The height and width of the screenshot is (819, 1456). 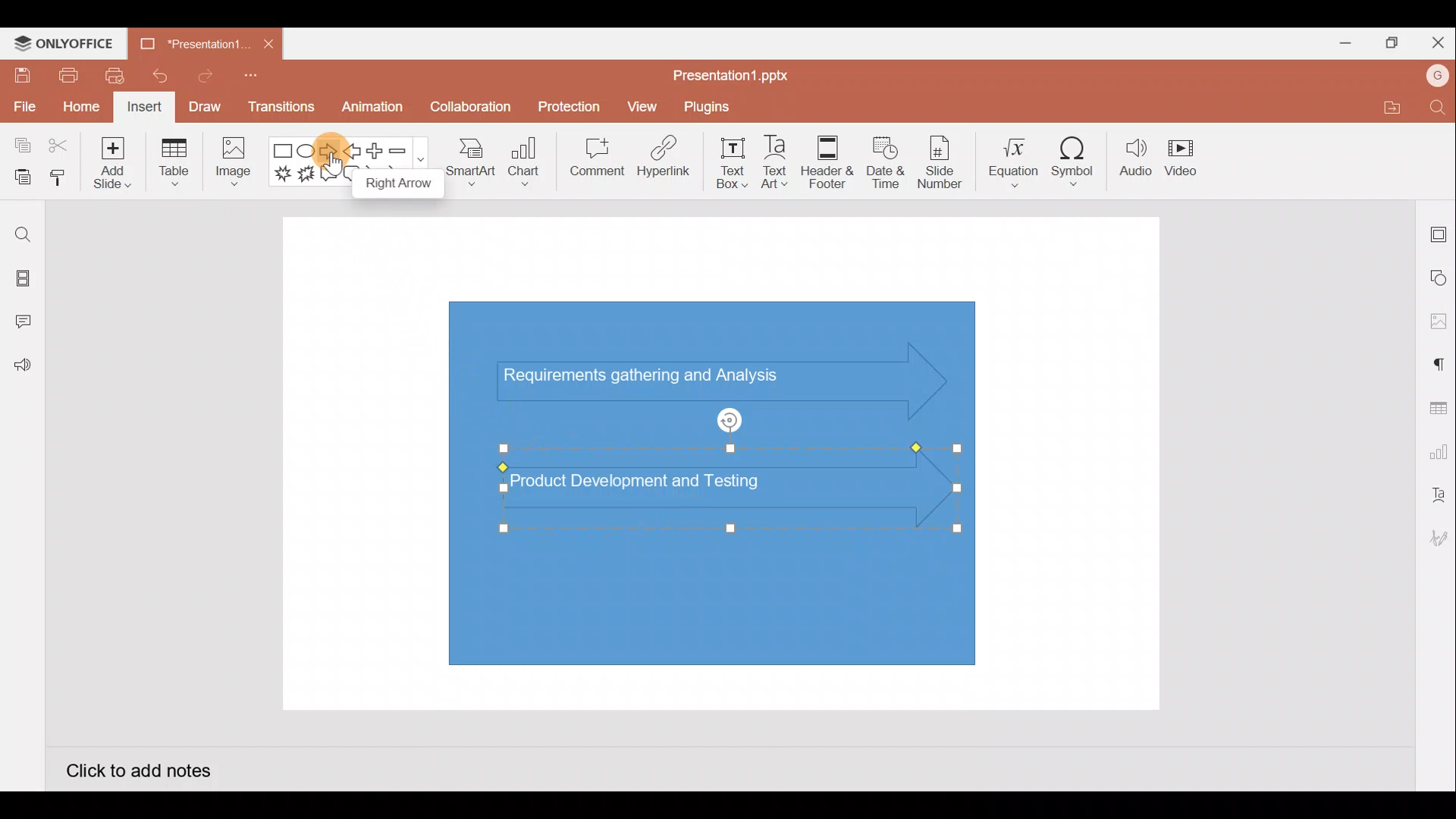 What do you see at coordinates (1389, 107) in the screenshot?
I see `Open file location` at bounding box center [1389, 107].